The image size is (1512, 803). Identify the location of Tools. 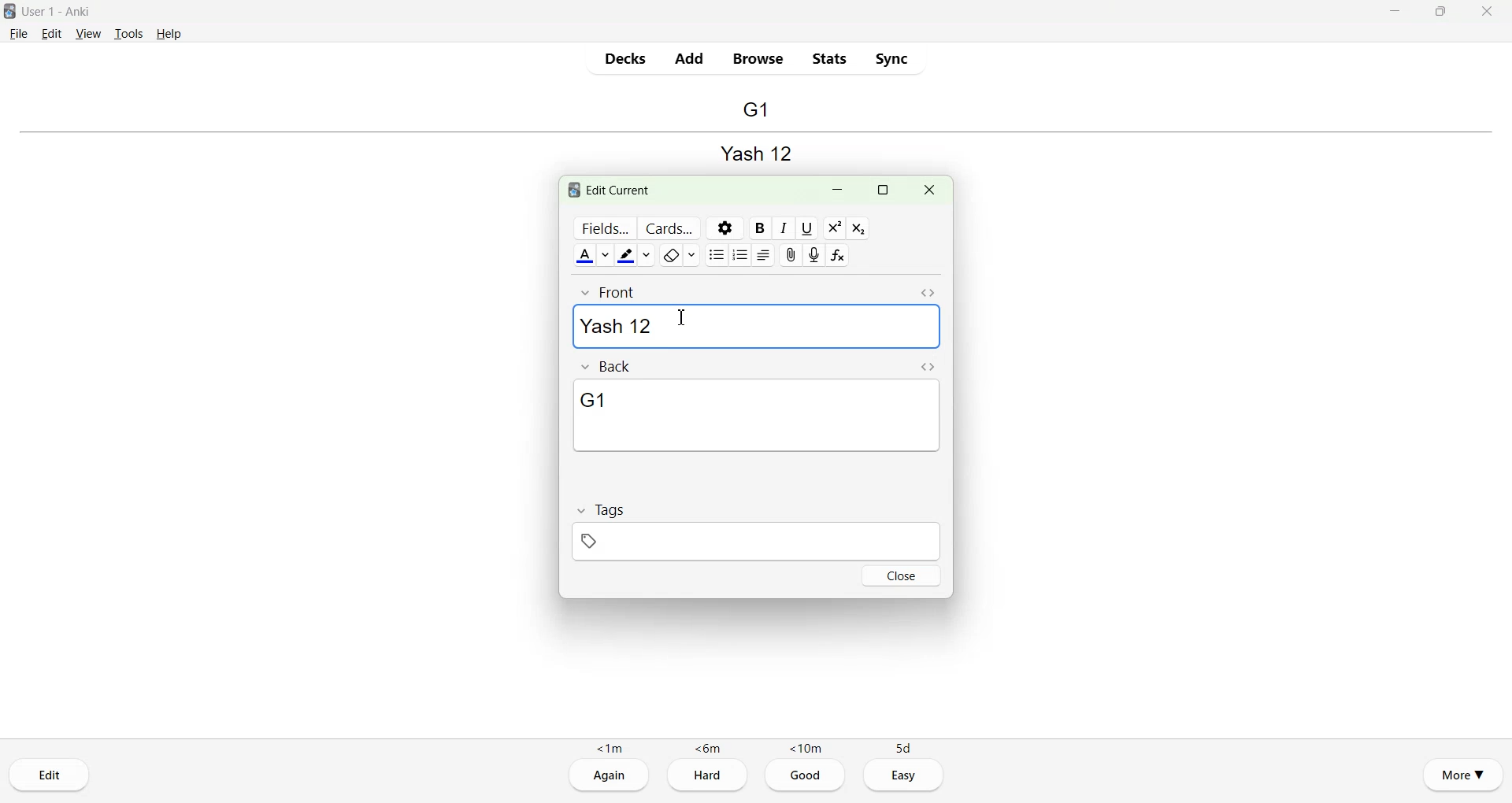
(128, 34).